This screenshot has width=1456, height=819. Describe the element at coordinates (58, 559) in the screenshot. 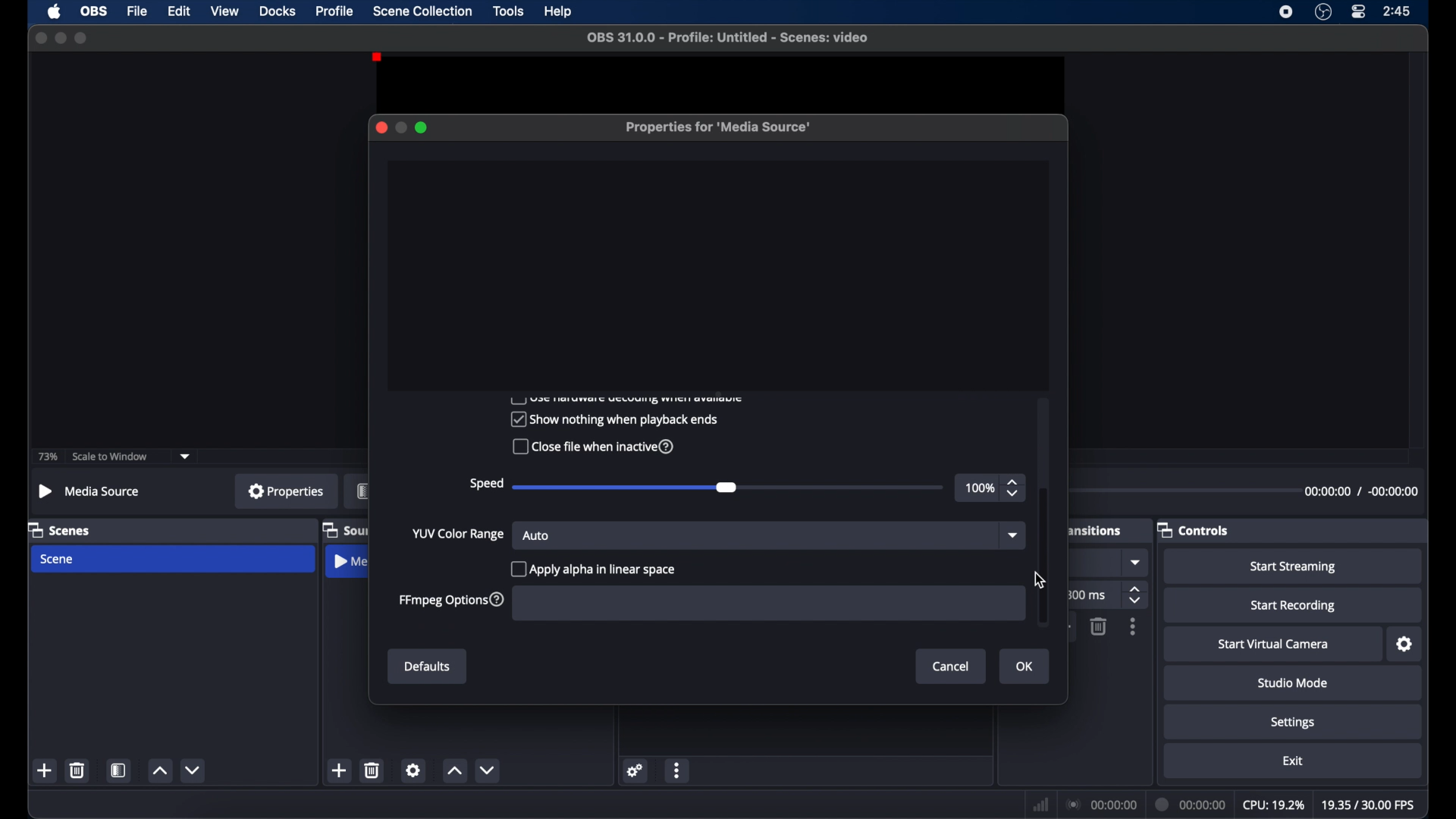

I see `scene` at that location.